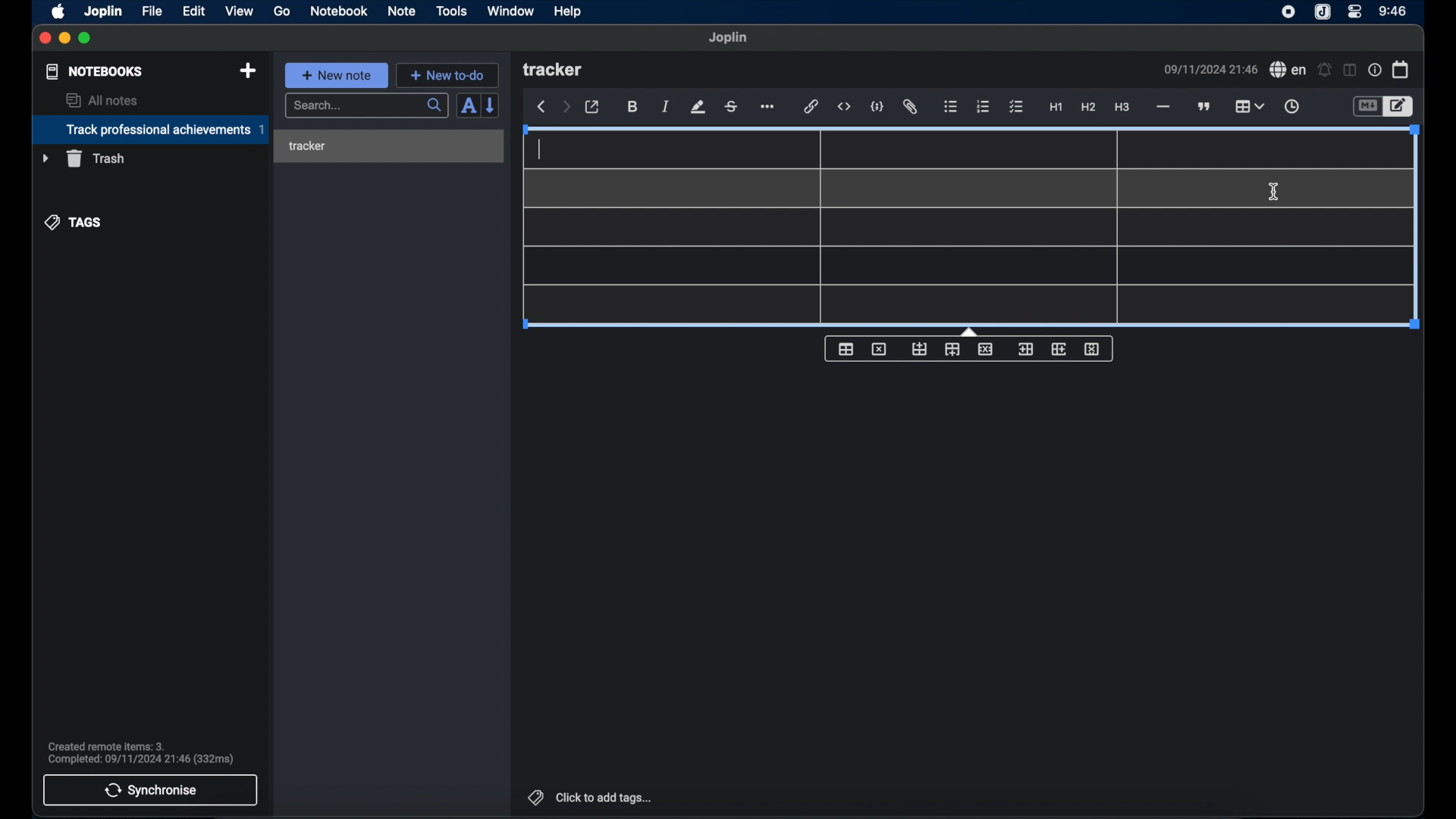 The image size is (1456, 819). What do you see at coordinates (1059, 349) in the screenshot?
I see `insert column after` at bounding box center [1059, 349].